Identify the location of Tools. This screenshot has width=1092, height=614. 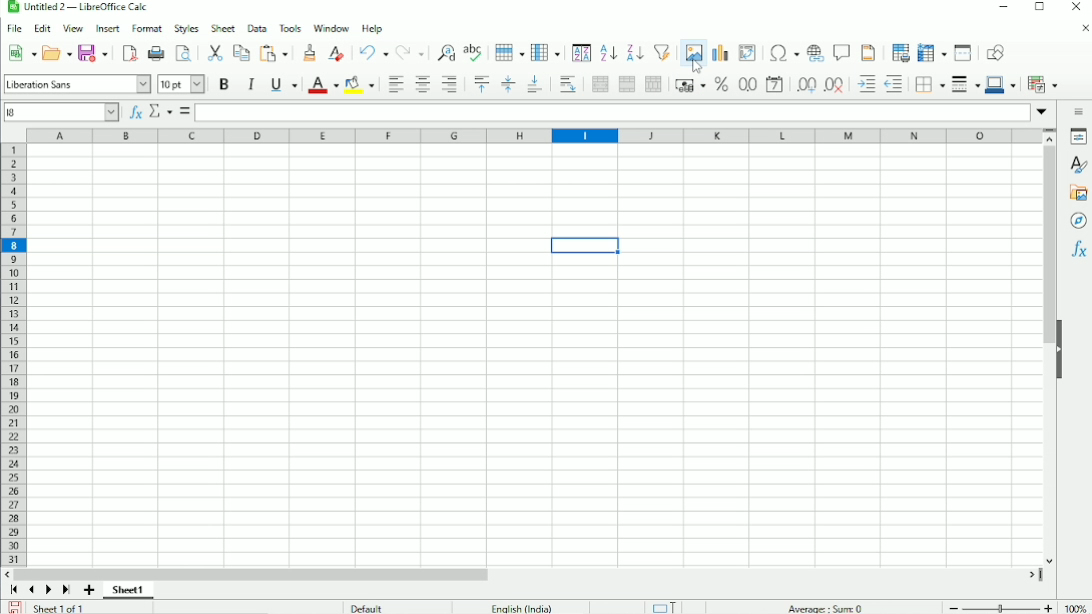
(290, 27).